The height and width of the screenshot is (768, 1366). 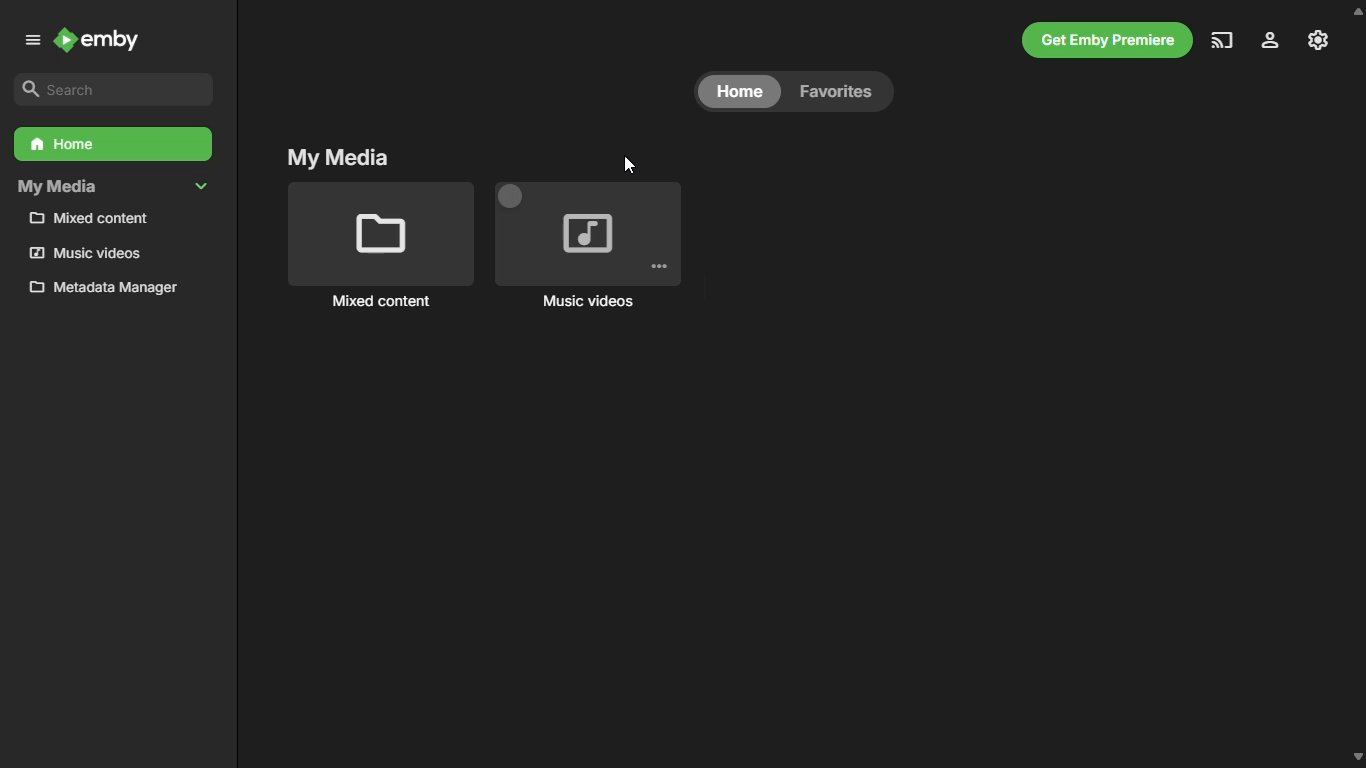 I want to click on toggle expand, so click(x=201, y=187).